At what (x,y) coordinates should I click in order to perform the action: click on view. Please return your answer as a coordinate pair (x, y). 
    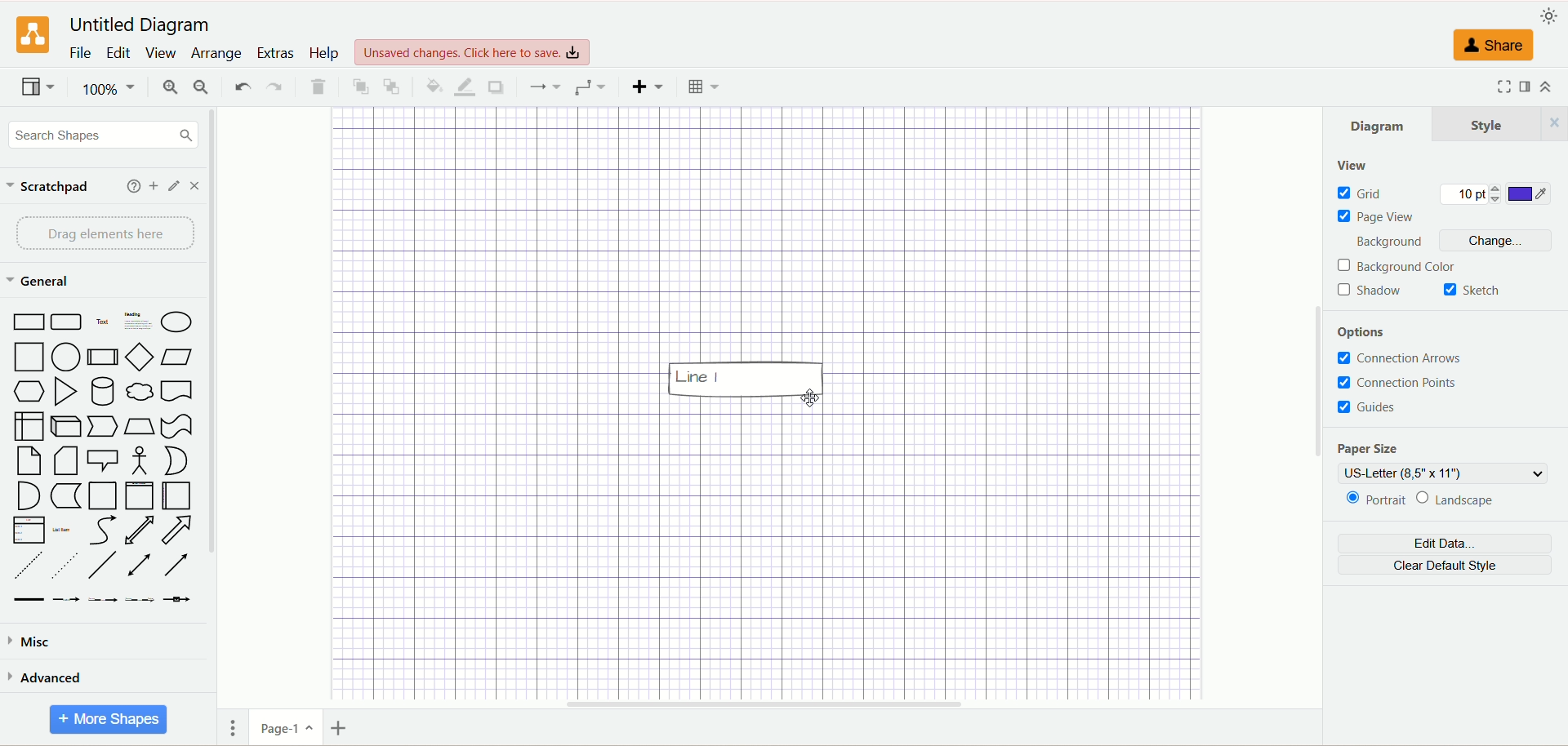
    Looking at the image, I should click on (37, 87).